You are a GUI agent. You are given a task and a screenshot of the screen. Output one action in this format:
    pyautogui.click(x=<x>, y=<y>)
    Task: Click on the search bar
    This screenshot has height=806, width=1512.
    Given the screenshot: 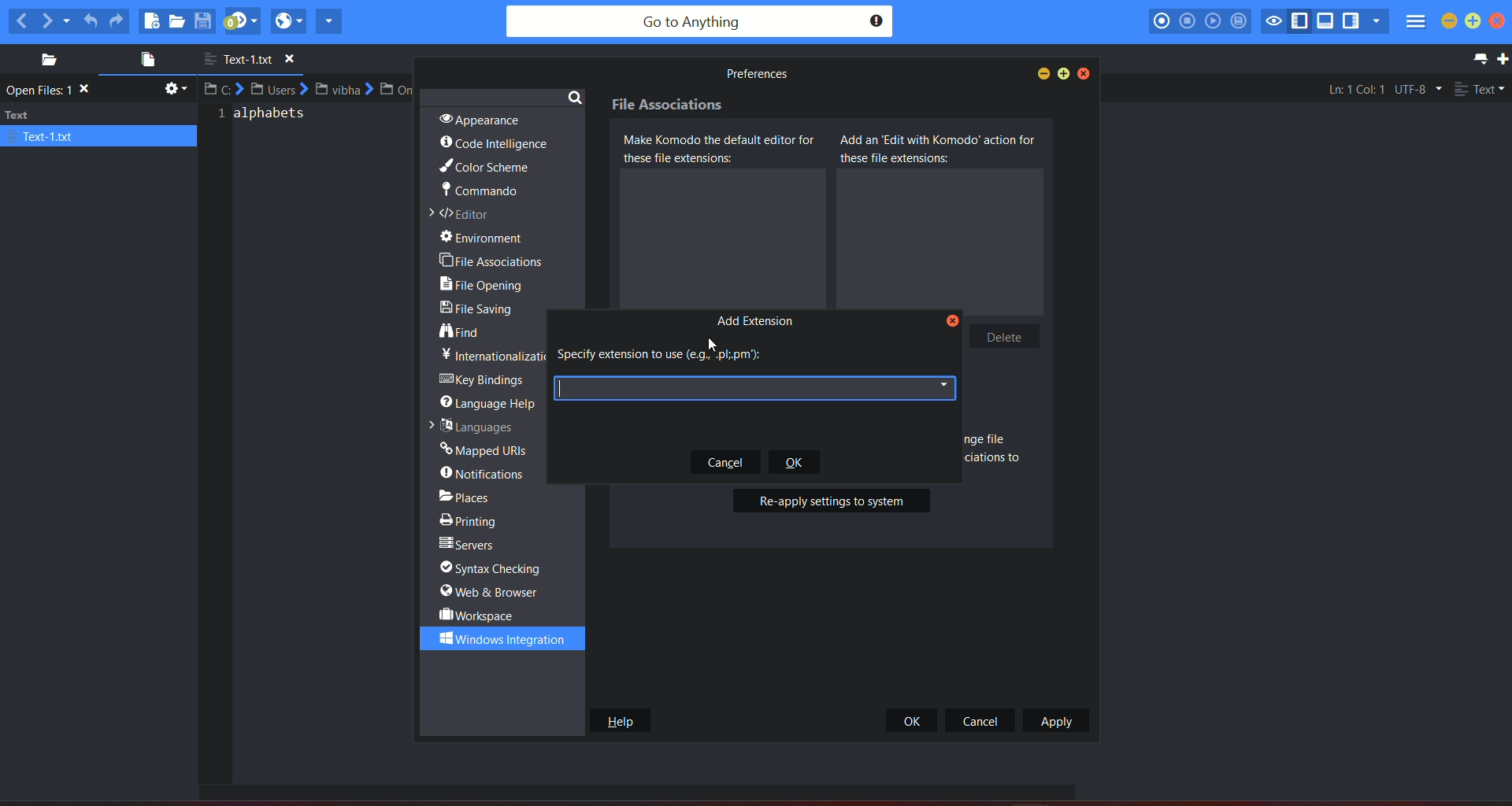 What is the action you would take?
    pyautogui.click(x=699, y=22)
    